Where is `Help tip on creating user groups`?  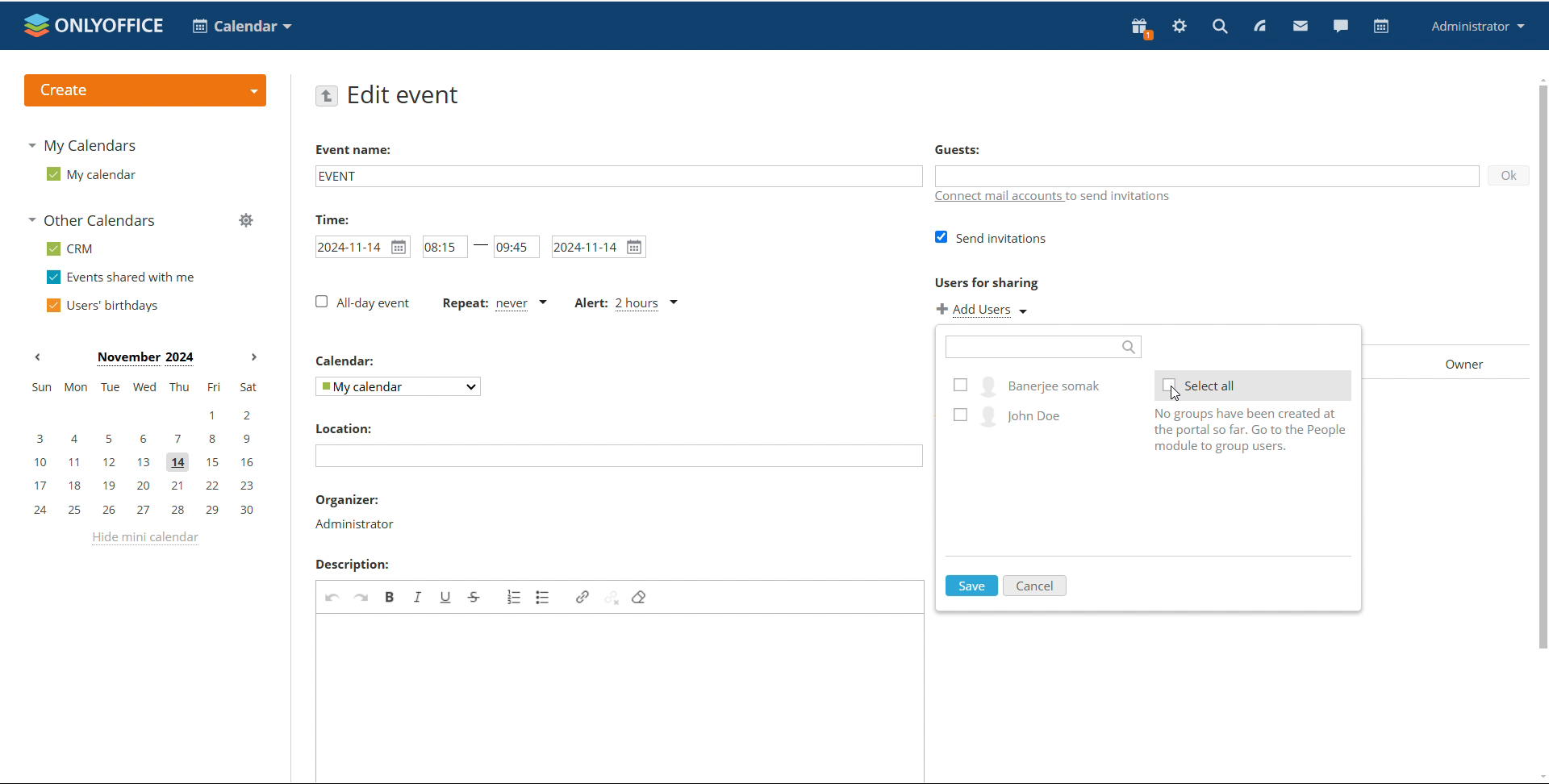
Help tip on creating user groups is located at coordinates (1243, 432).